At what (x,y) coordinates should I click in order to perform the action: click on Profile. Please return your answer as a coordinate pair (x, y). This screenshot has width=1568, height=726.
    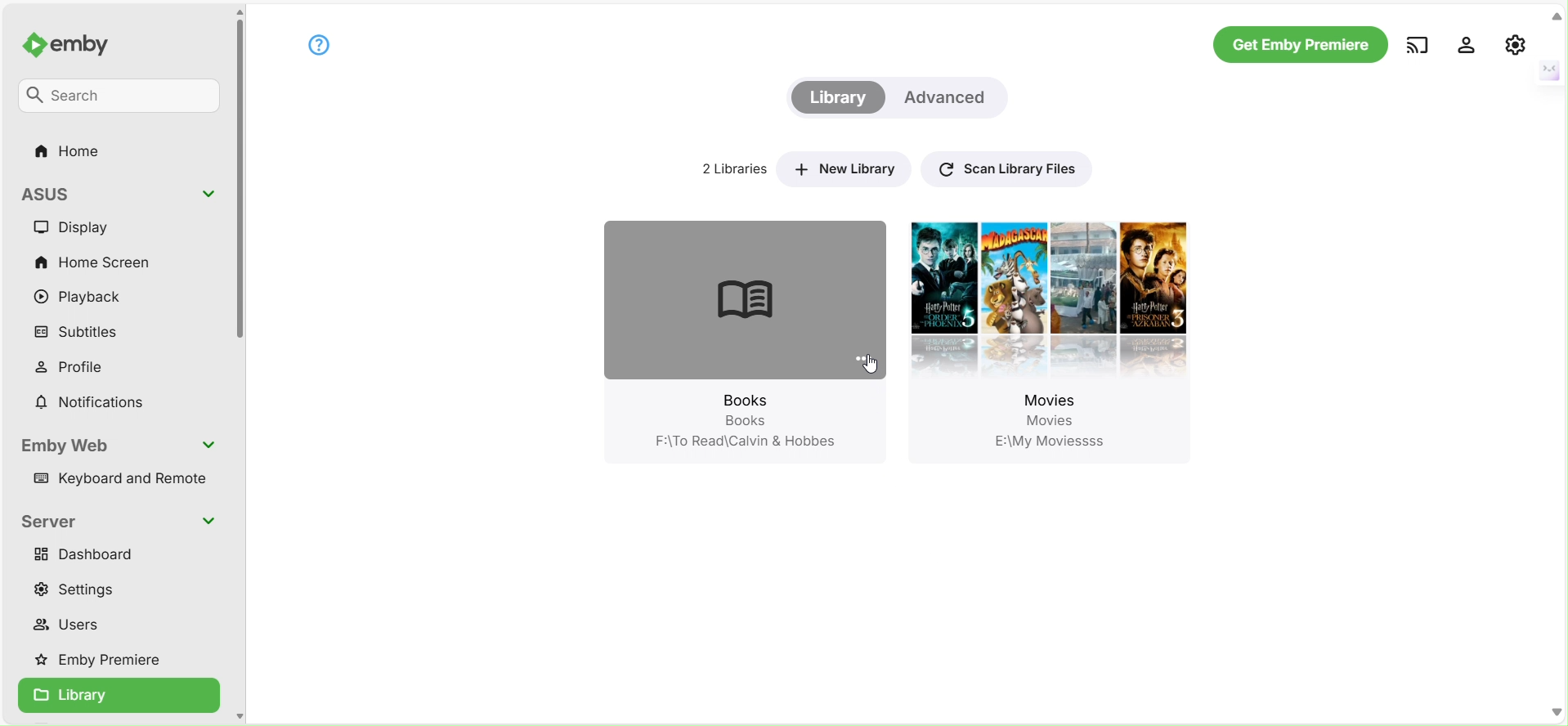
    Looking at the image, I should click on (81, 366).